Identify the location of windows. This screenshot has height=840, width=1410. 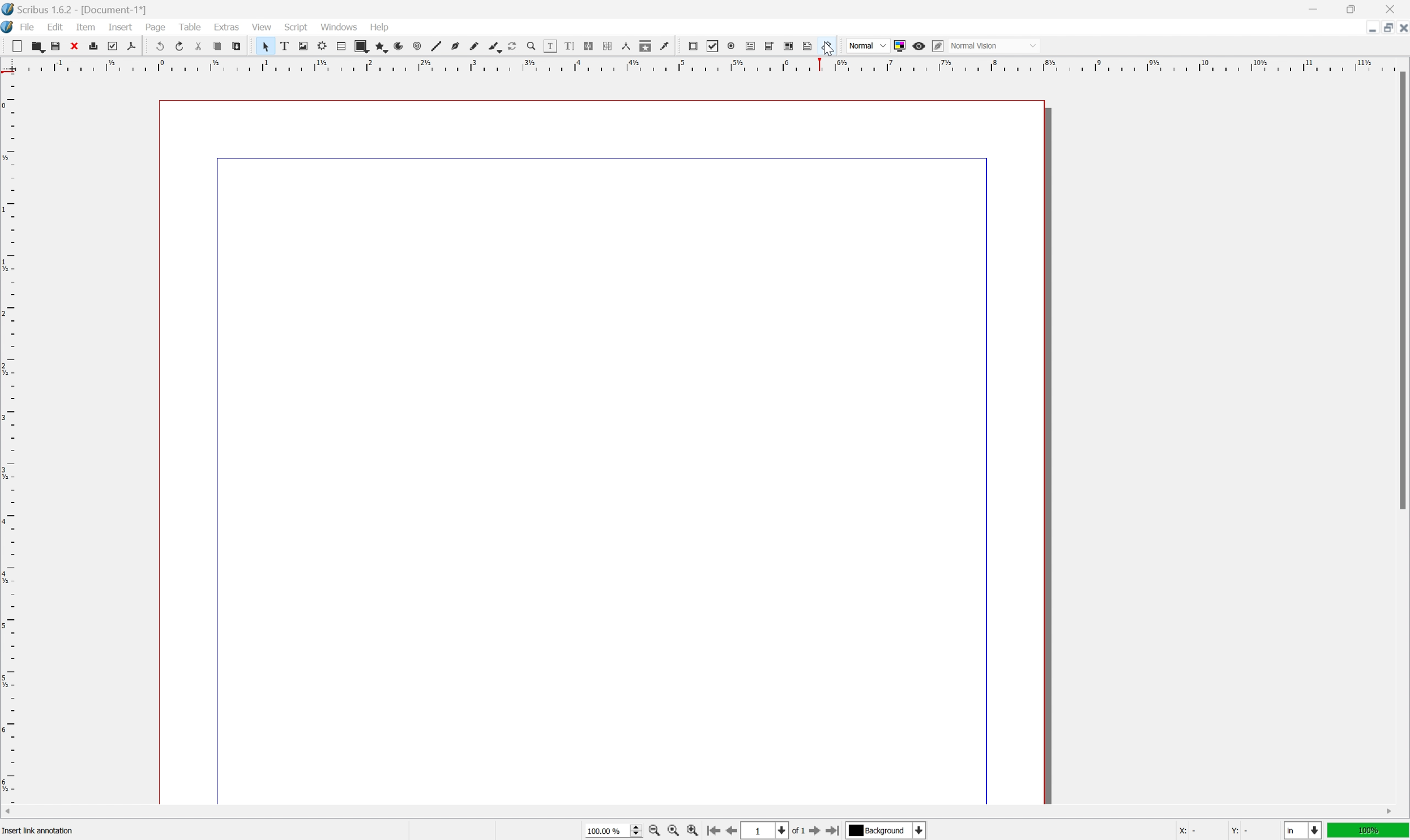
(339, 26).